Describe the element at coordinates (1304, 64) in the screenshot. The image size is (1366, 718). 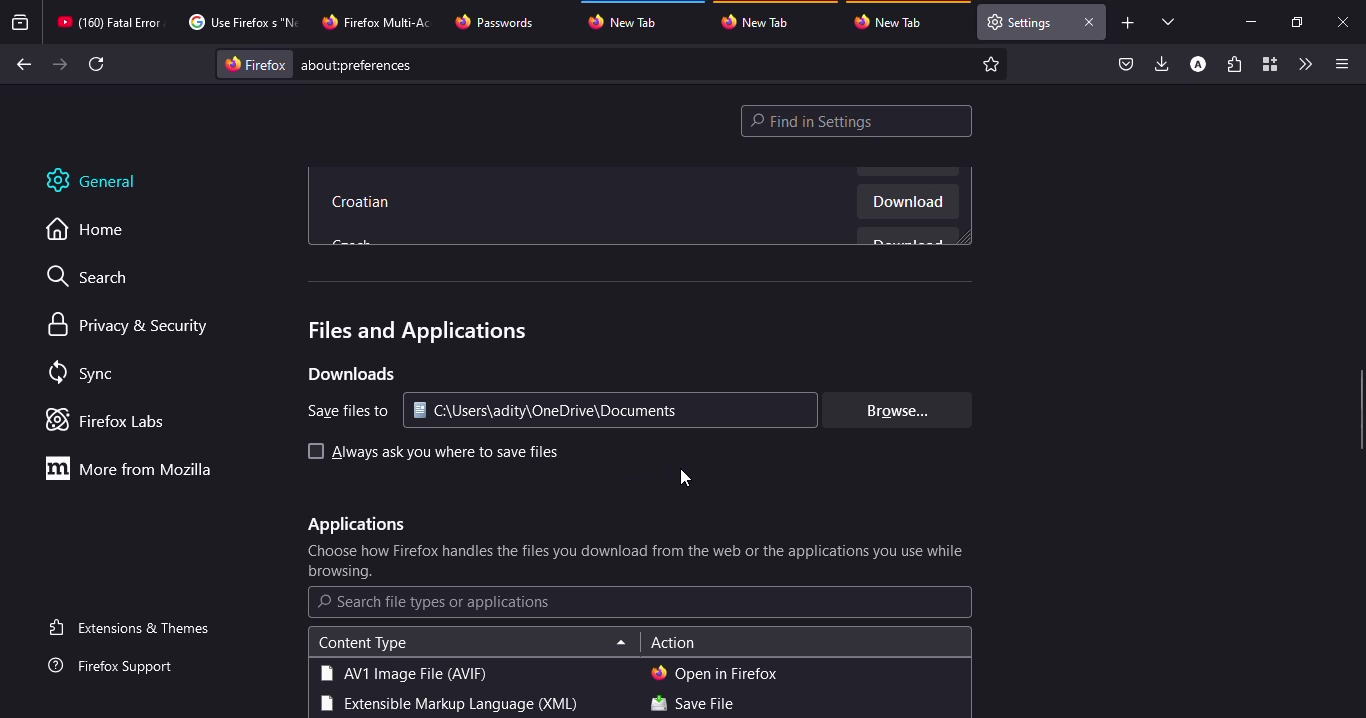
I see `more tools` at that location.